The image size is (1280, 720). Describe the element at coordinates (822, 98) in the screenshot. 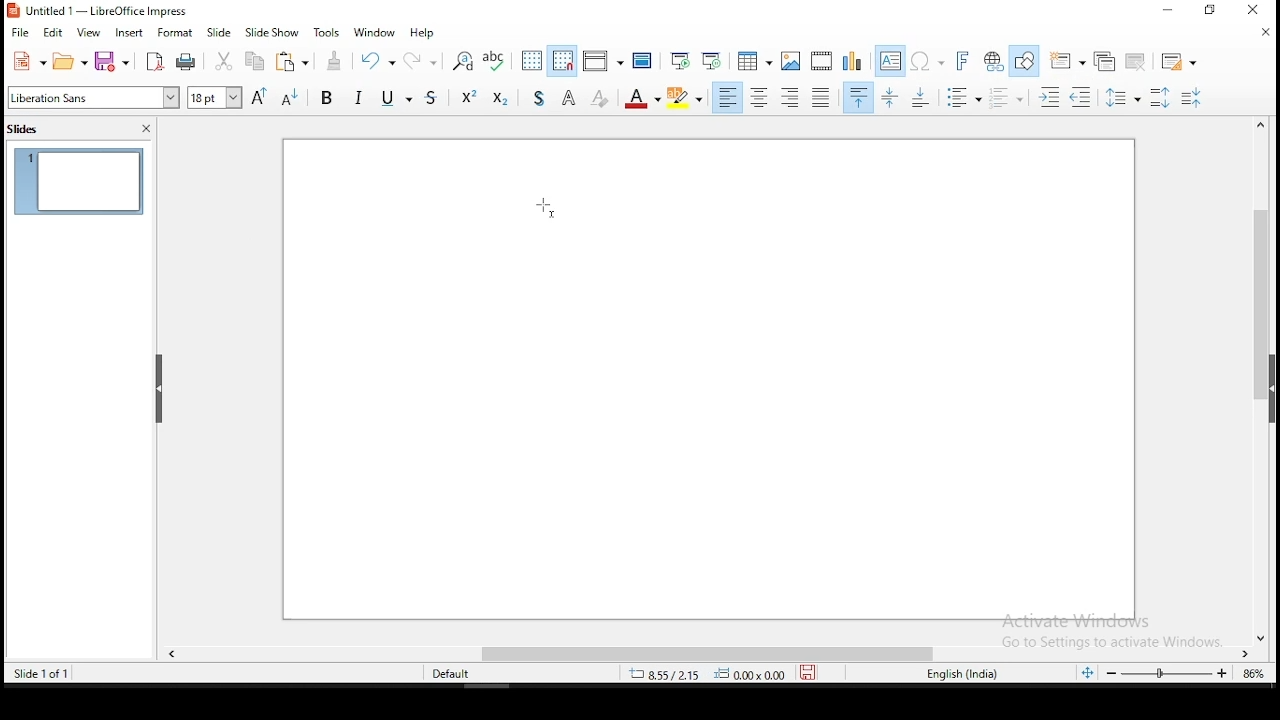

I see `justified` at that location.